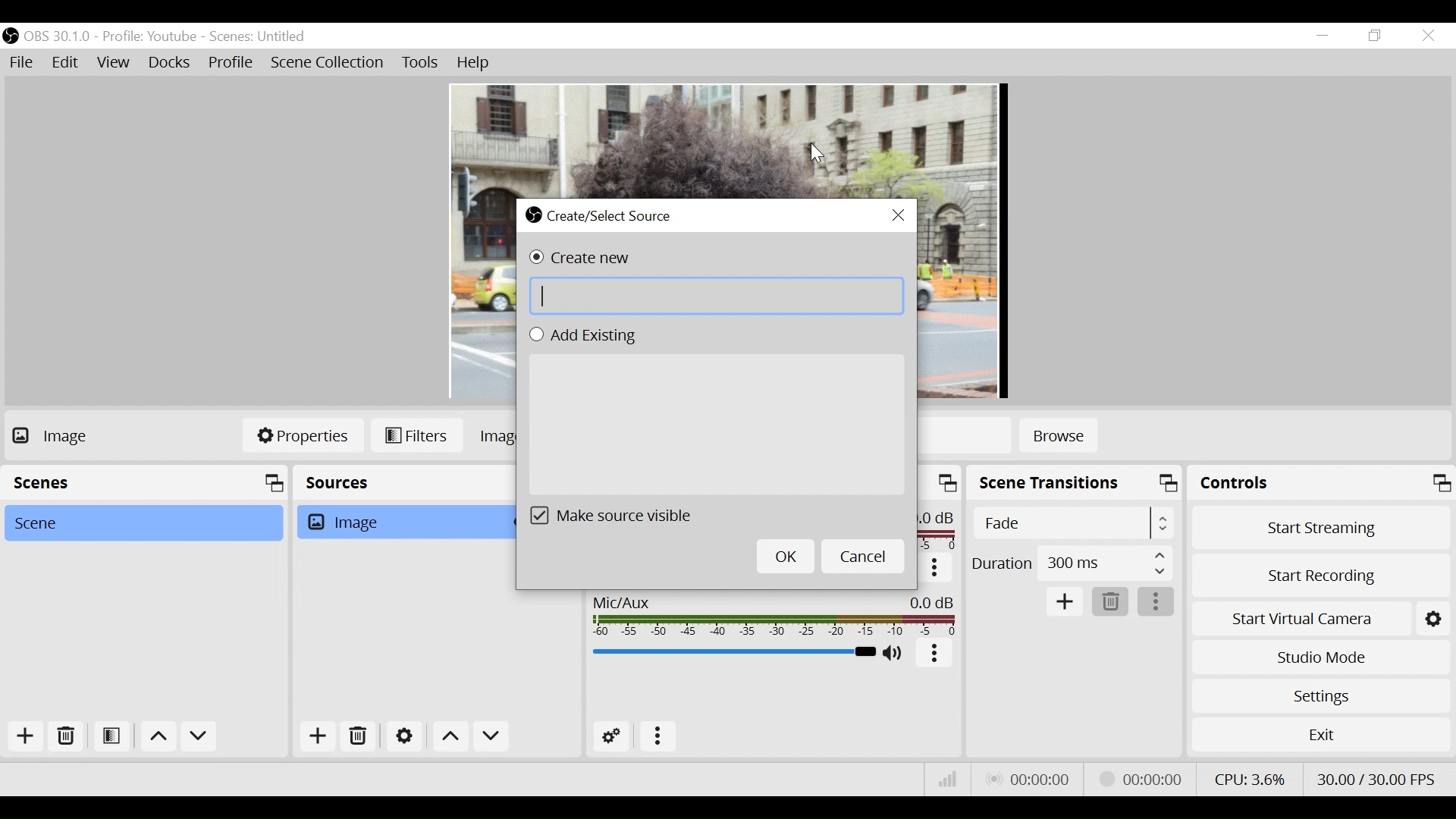 This screenshot has width=1456, height=819. What do you see at coordinates (358, 736) in the screenshot?
I see `Delete` at bounding box center [358, 736].